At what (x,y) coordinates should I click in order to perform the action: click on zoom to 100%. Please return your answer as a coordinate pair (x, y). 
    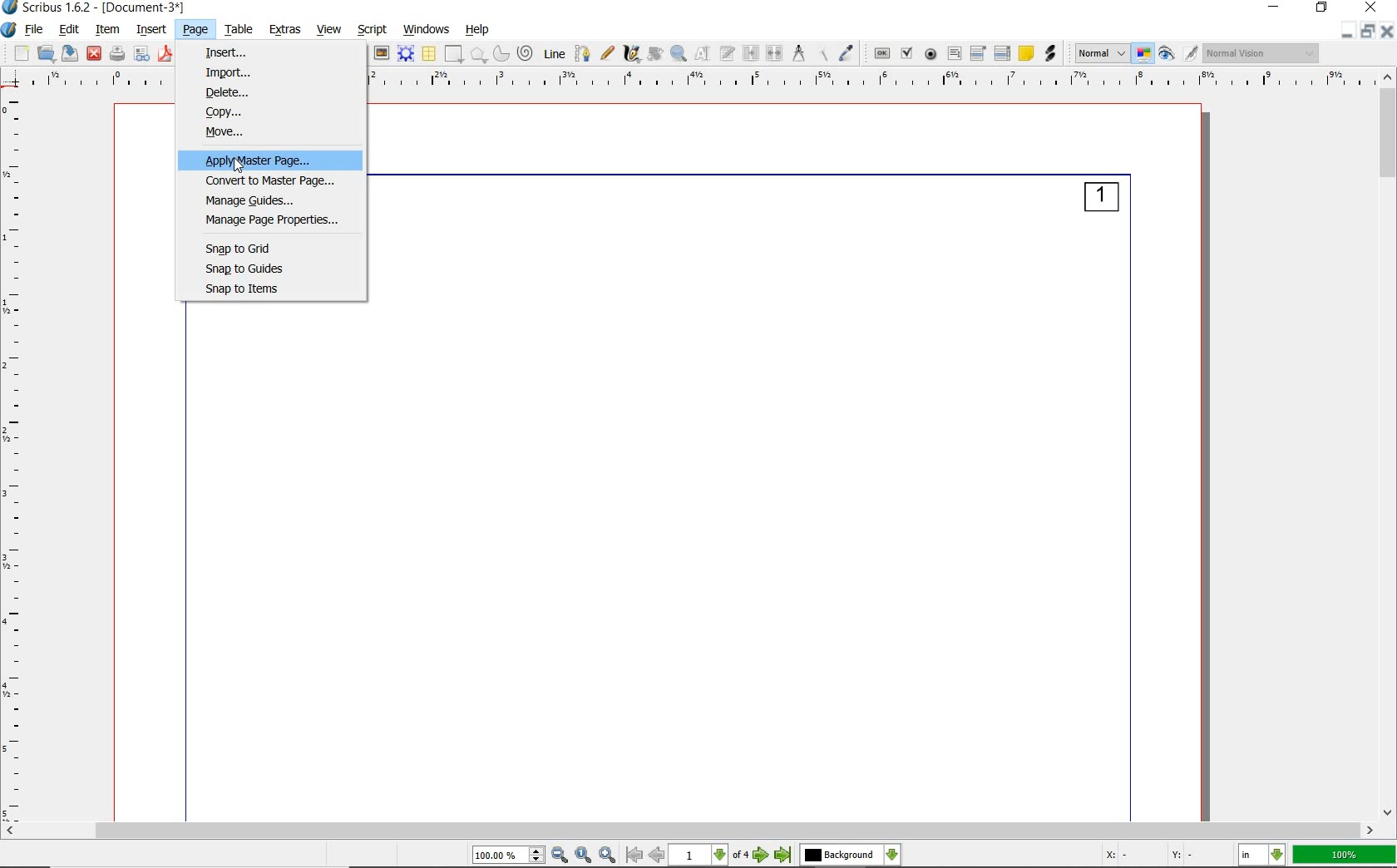
    Looking at the image, I should click on (585, 855).